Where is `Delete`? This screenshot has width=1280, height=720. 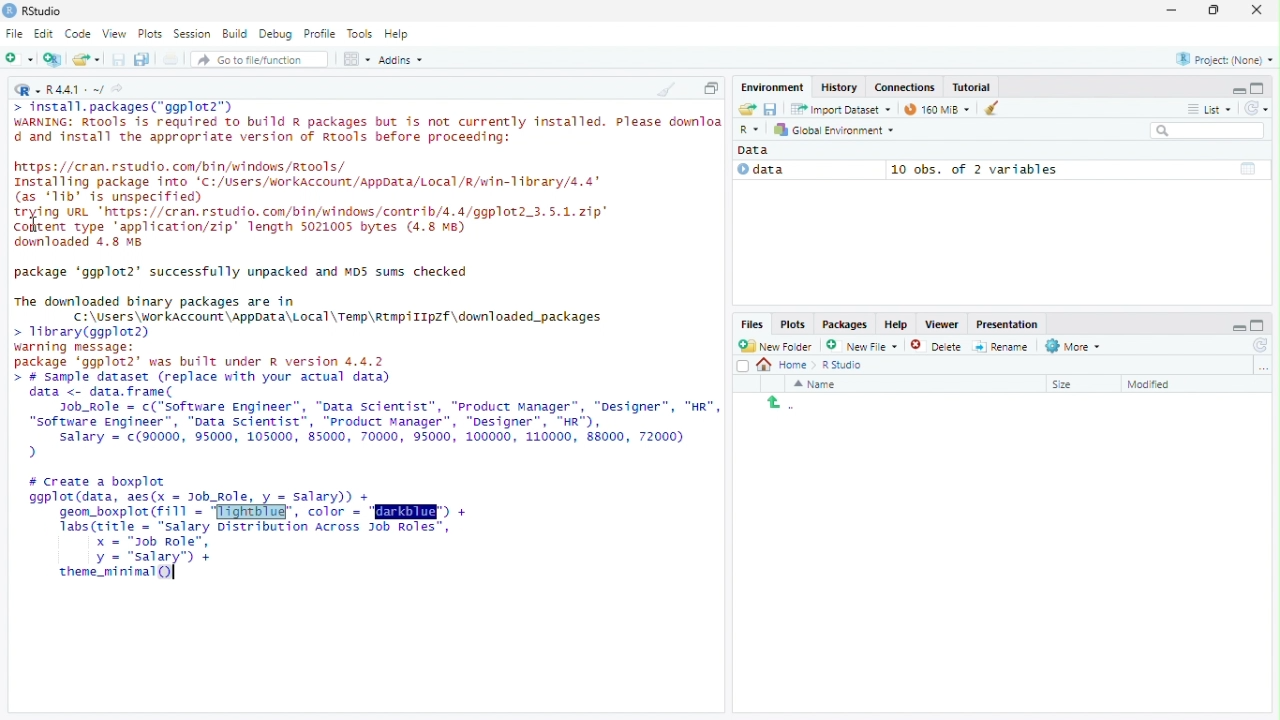 Delete is located at coordinates (937, 345).